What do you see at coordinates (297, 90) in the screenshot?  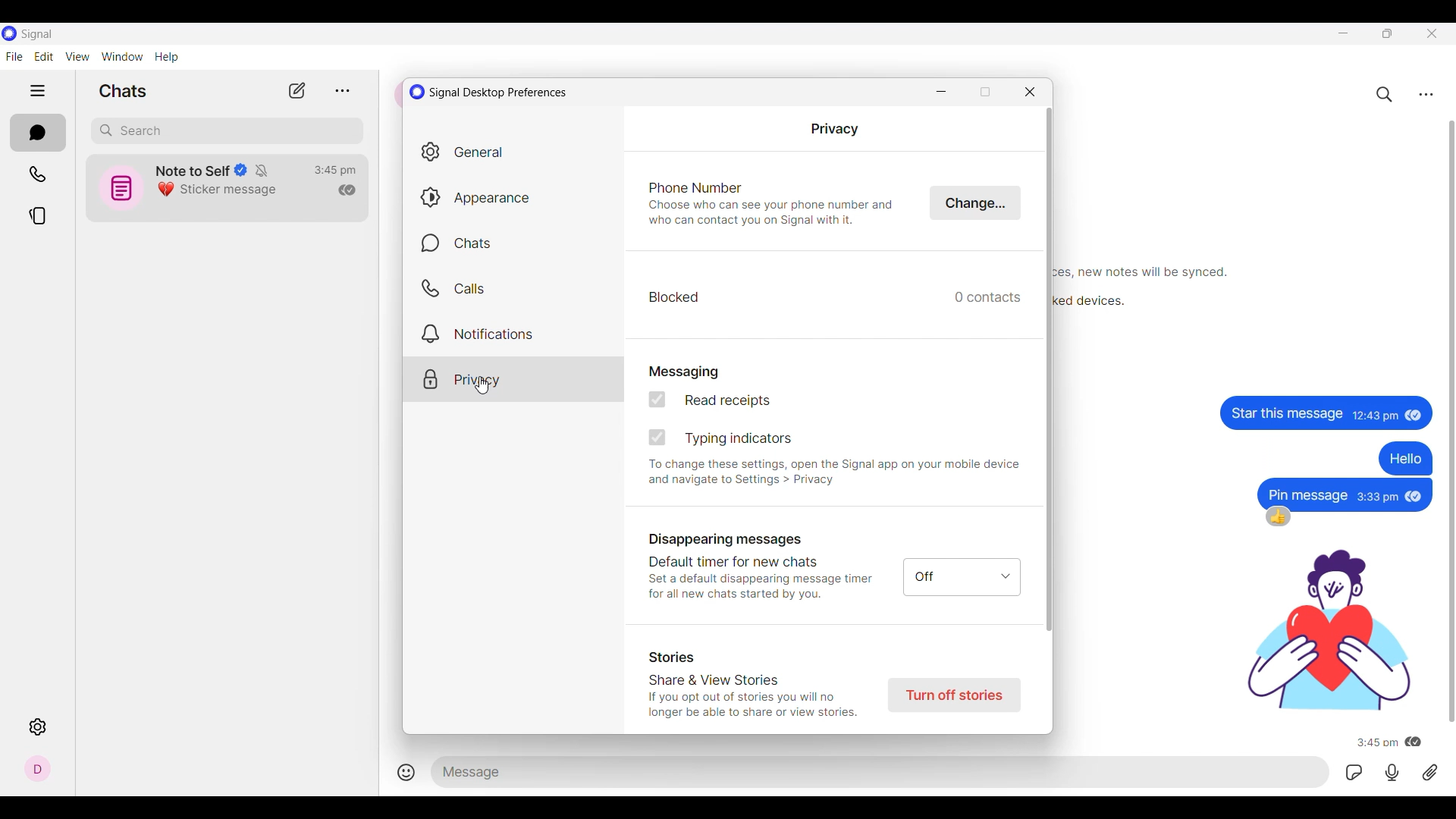 I see `New chat` at bounding box center [297, 90].